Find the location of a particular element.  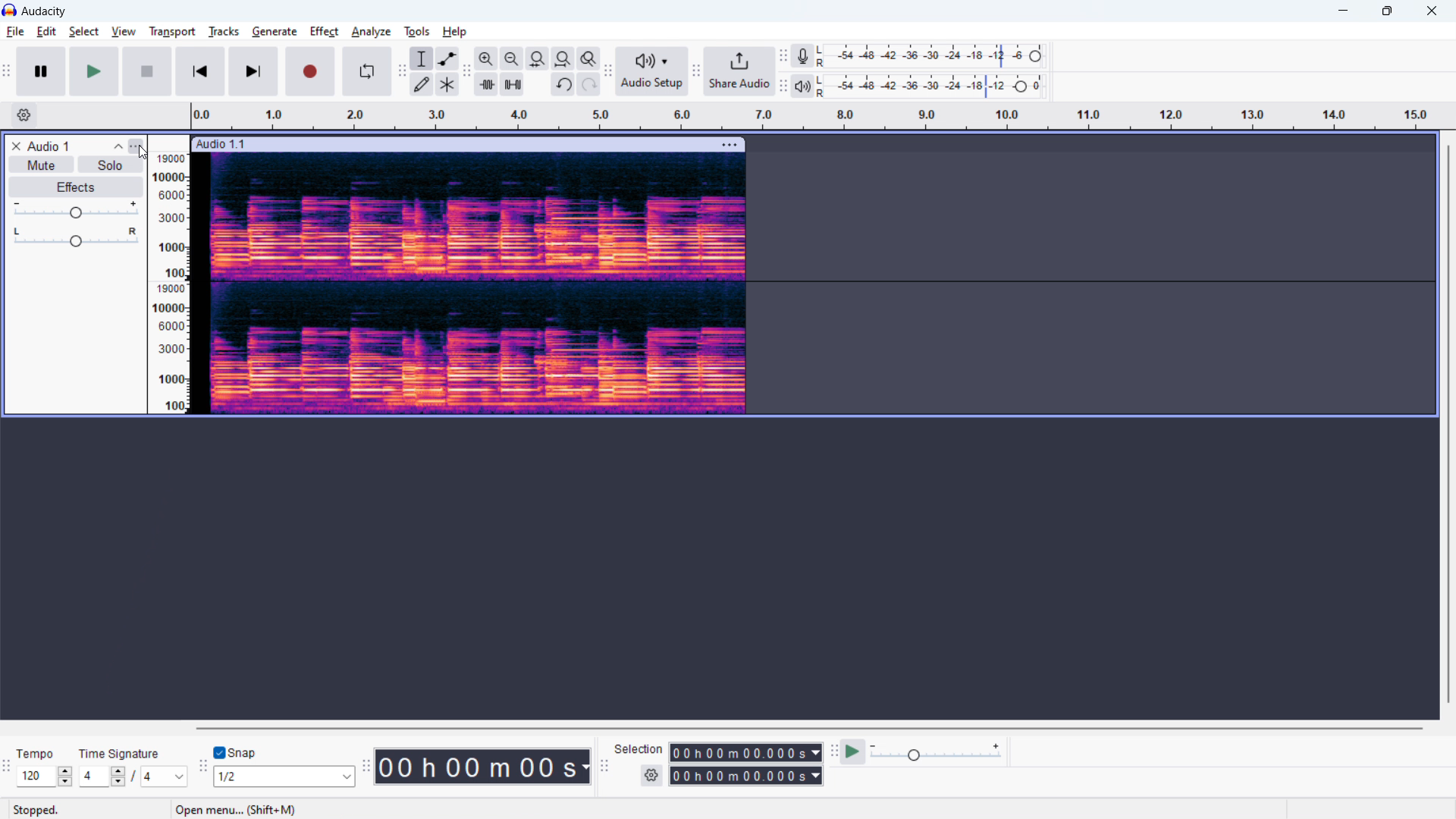

end time is located at coordinates (746, 777).